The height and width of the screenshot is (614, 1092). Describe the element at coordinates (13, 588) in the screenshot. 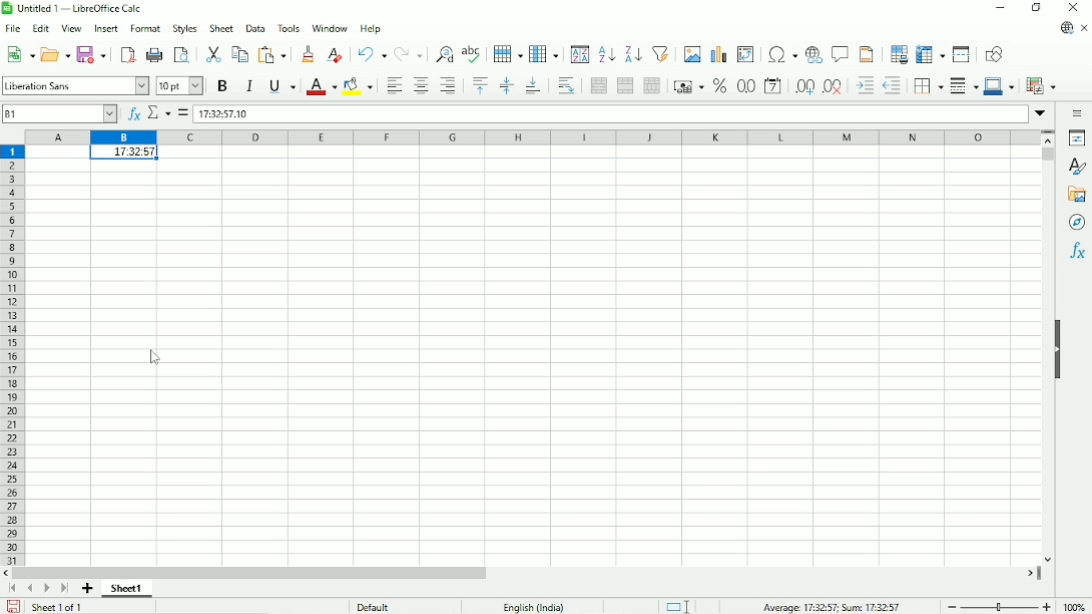

I see `Scroll to first sheet` at that location.